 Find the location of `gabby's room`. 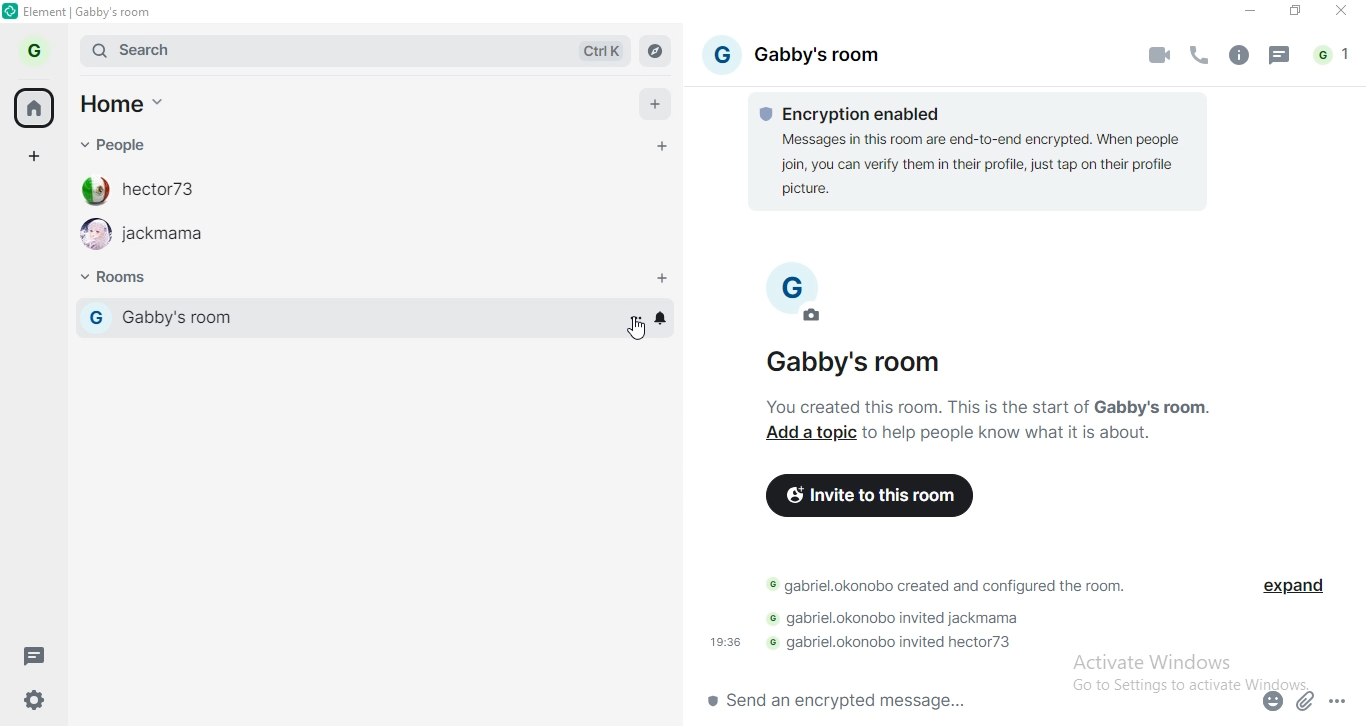

gabby's room is located at coordinates (360, 322).